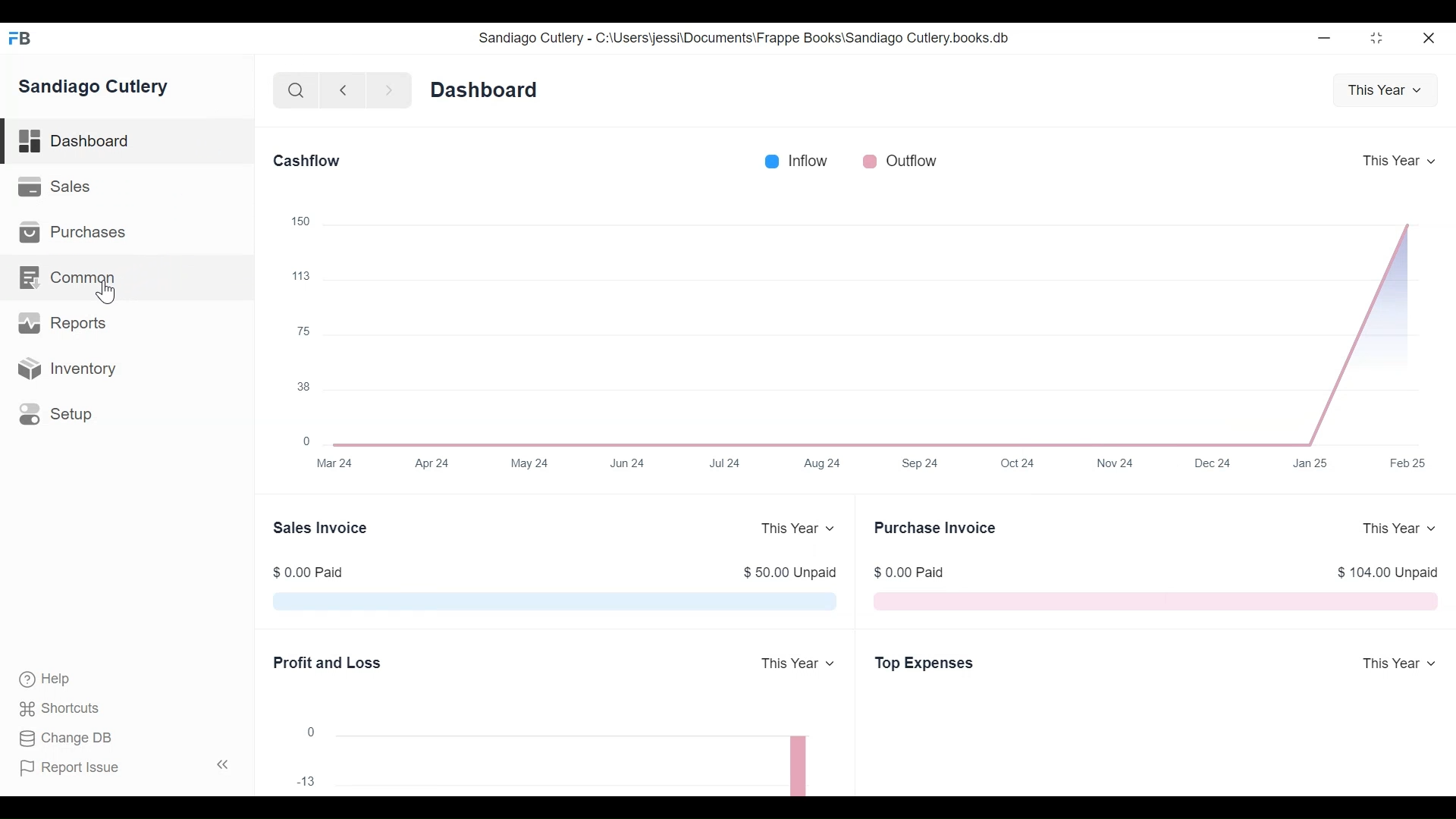  Describe the element at coordinates (344, 91) in the screenshot. I see `Navigate Back` at that location.